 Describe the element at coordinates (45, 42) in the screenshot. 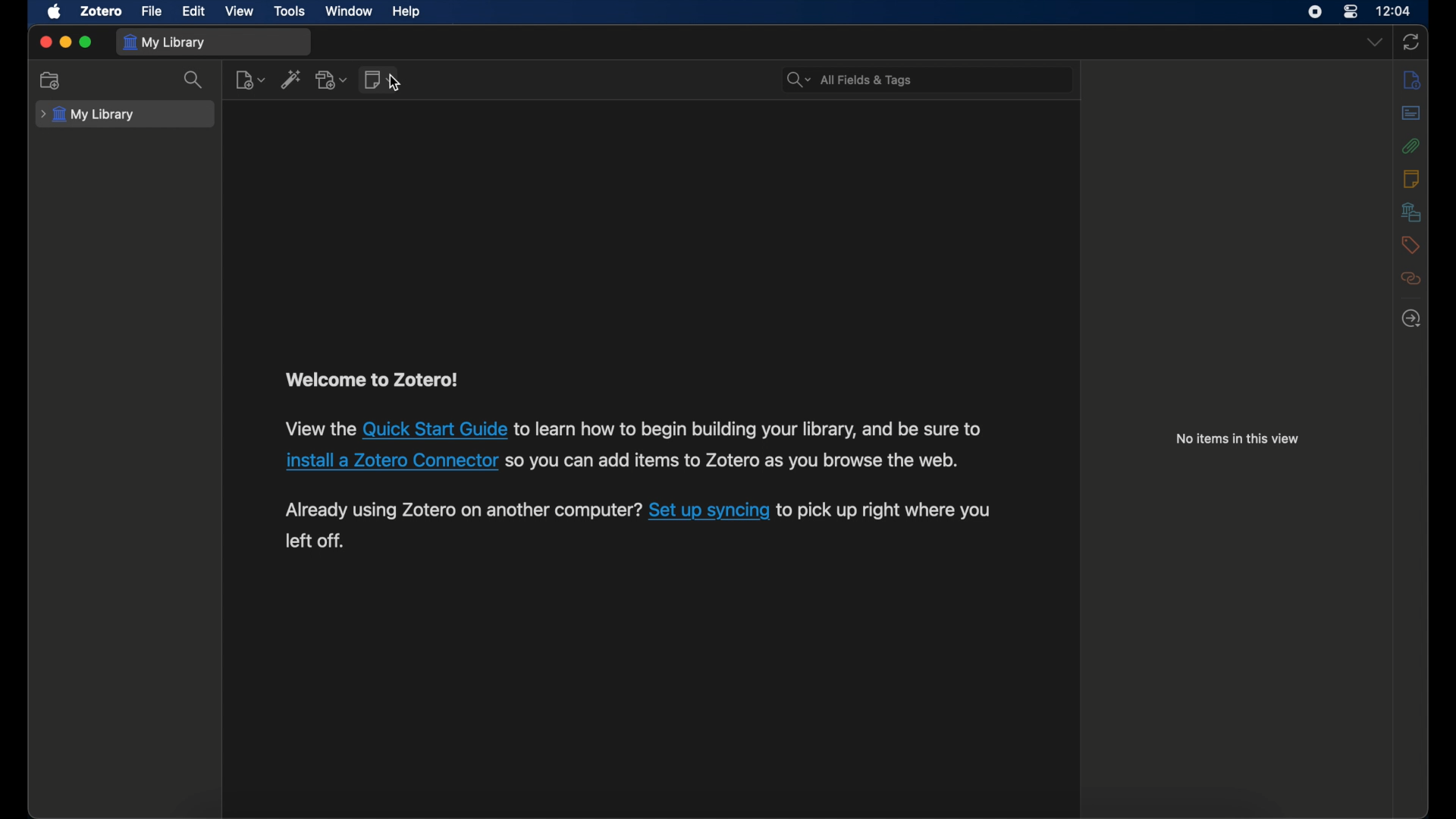

I see `close` at that location.